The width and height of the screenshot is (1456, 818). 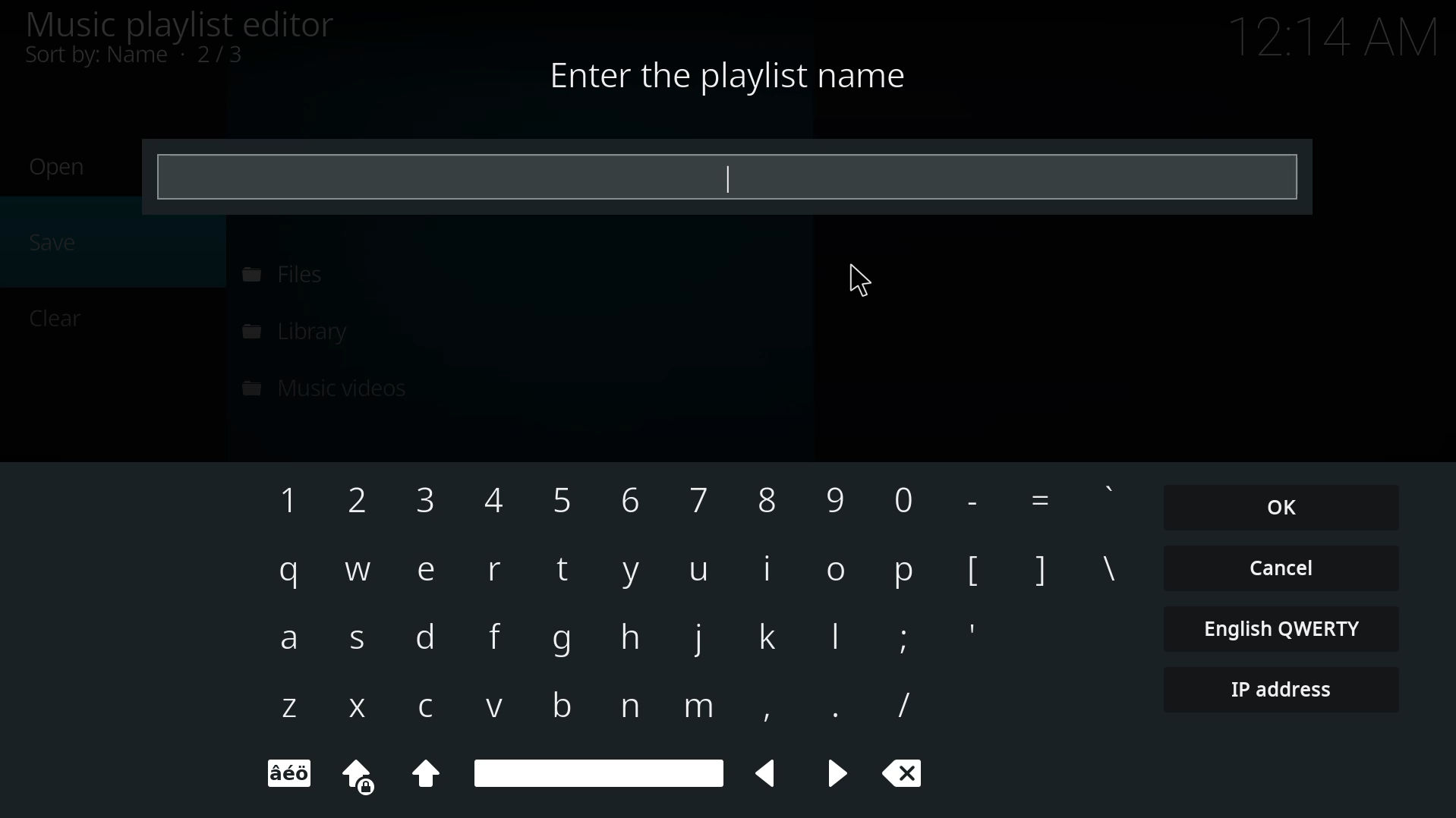 What do you see at coordinates (329, 385) in the screenshot?
I see `music videos` at bounding box center [329, 385].